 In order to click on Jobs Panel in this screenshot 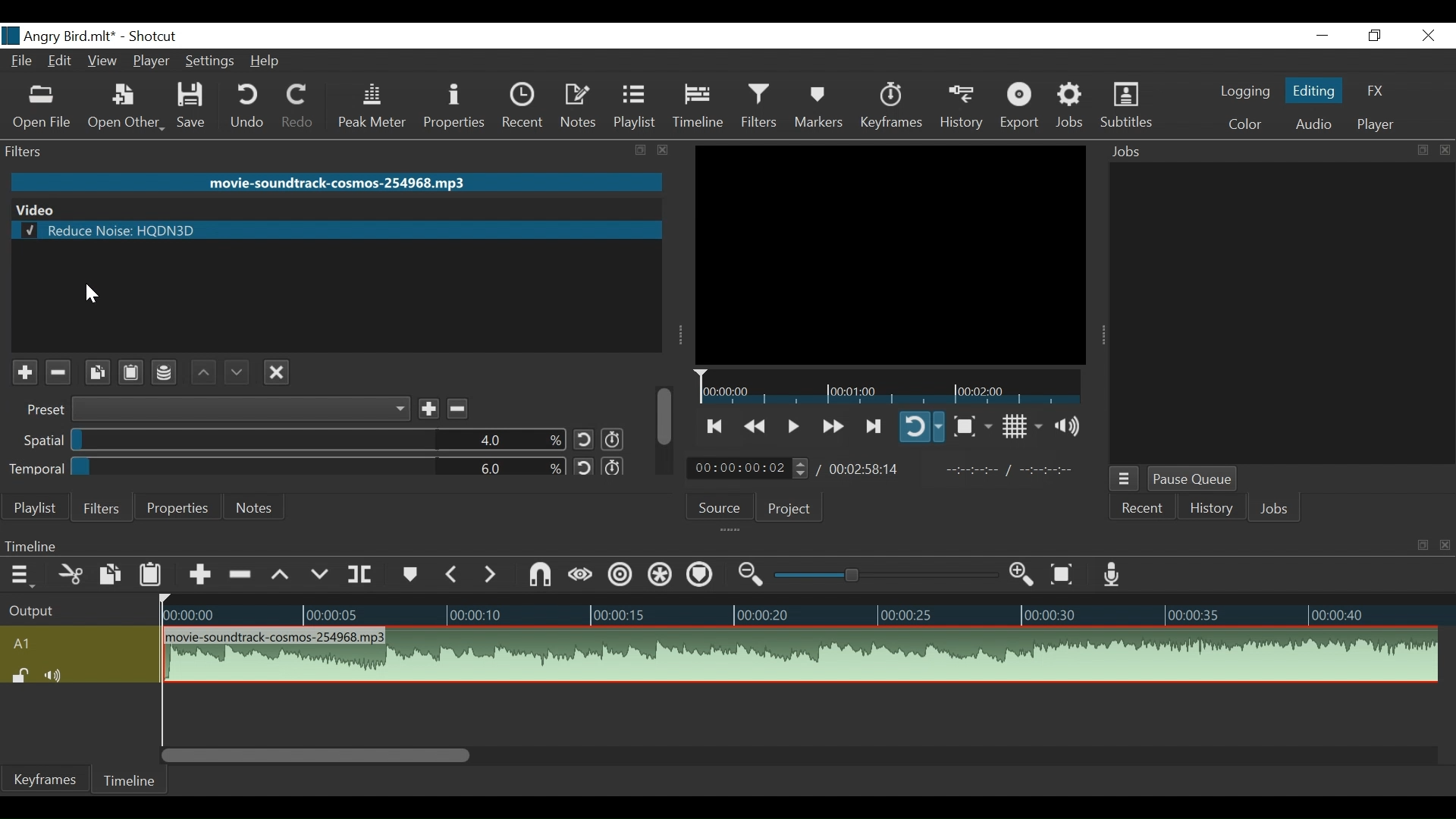, I will do `click(1278, 312)`.